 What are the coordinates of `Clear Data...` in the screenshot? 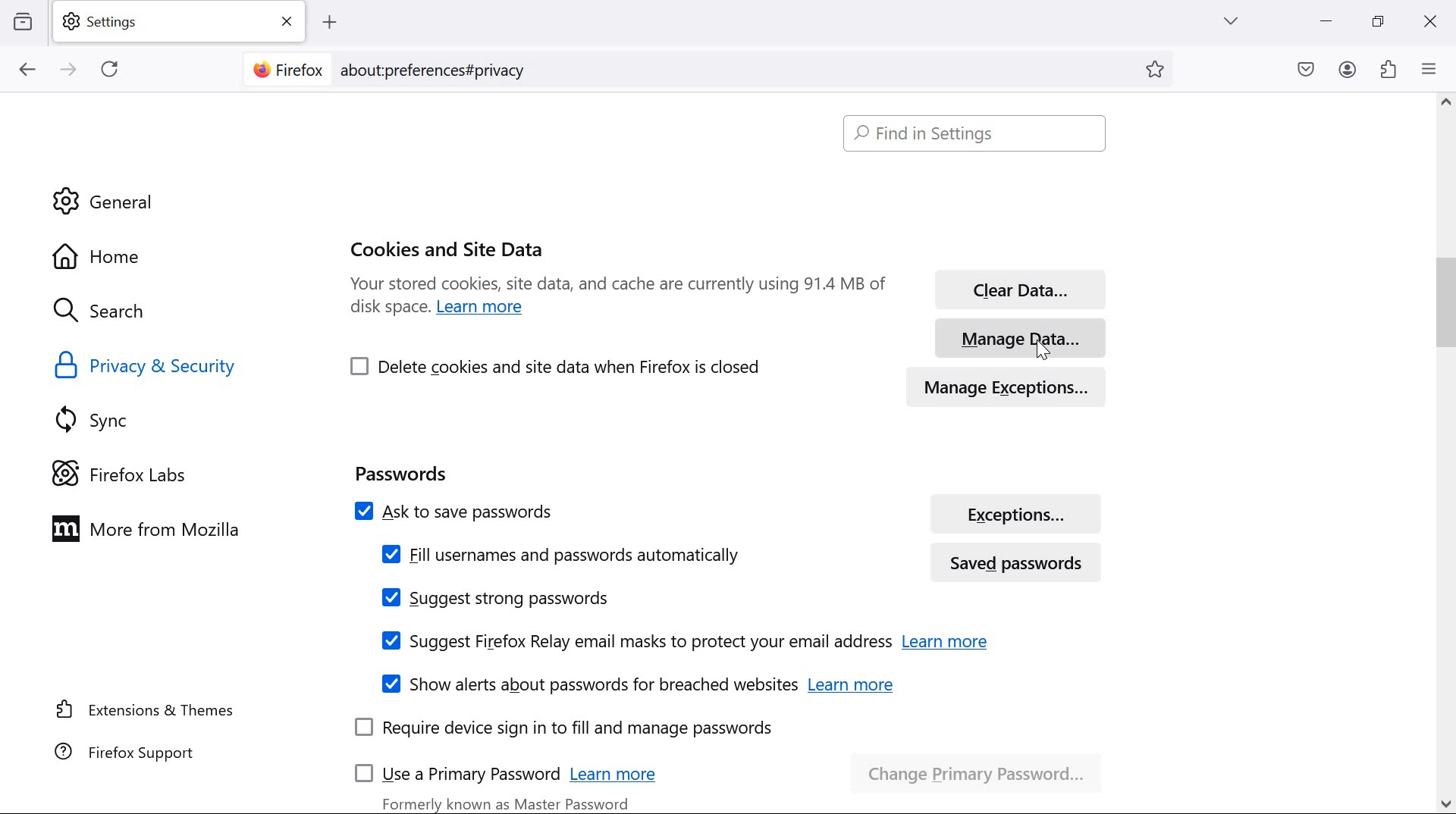 It's located at (1016, 286).